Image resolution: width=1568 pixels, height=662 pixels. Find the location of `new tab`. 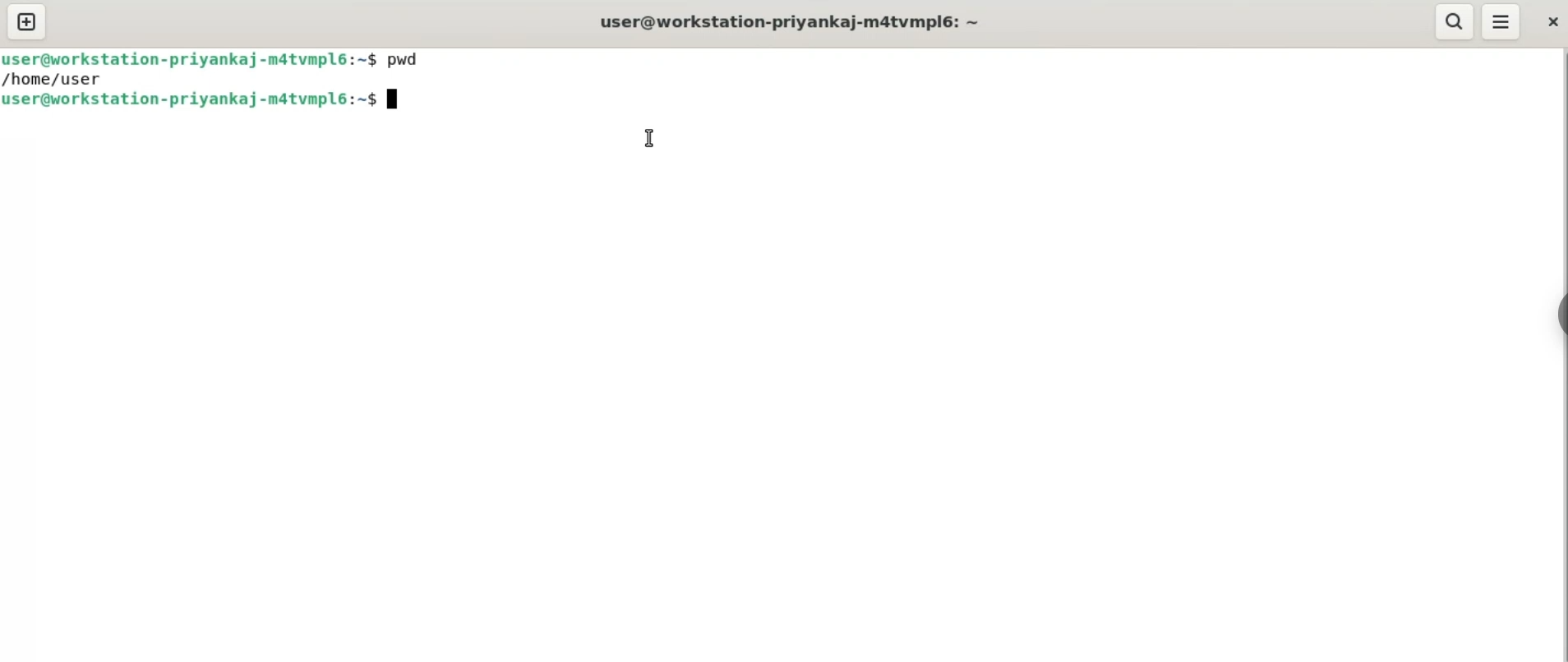

new tab is located at coordinates (31, 21).